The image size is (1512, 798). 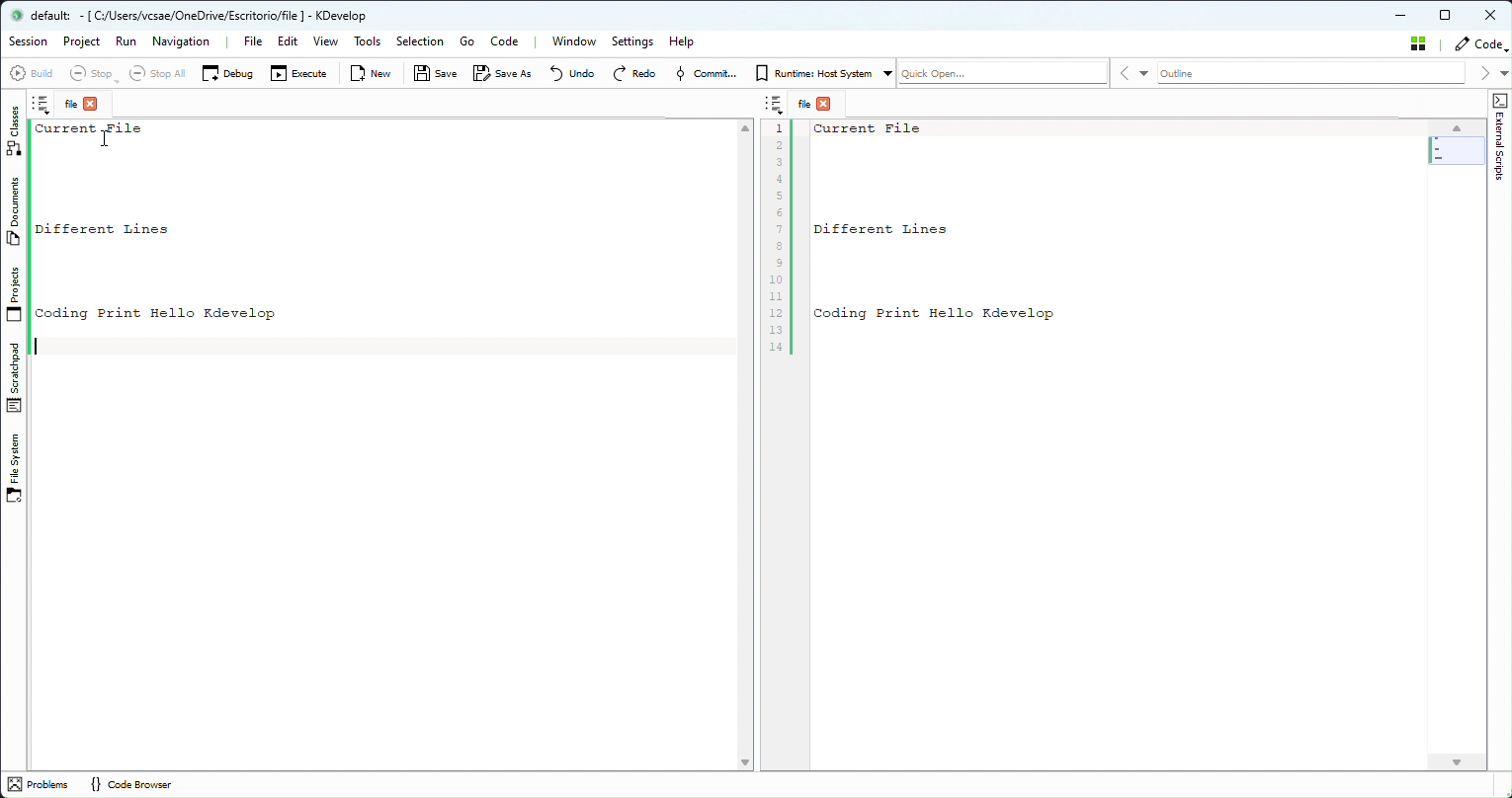 I want to click on Tools, so click(x=363, y=44).